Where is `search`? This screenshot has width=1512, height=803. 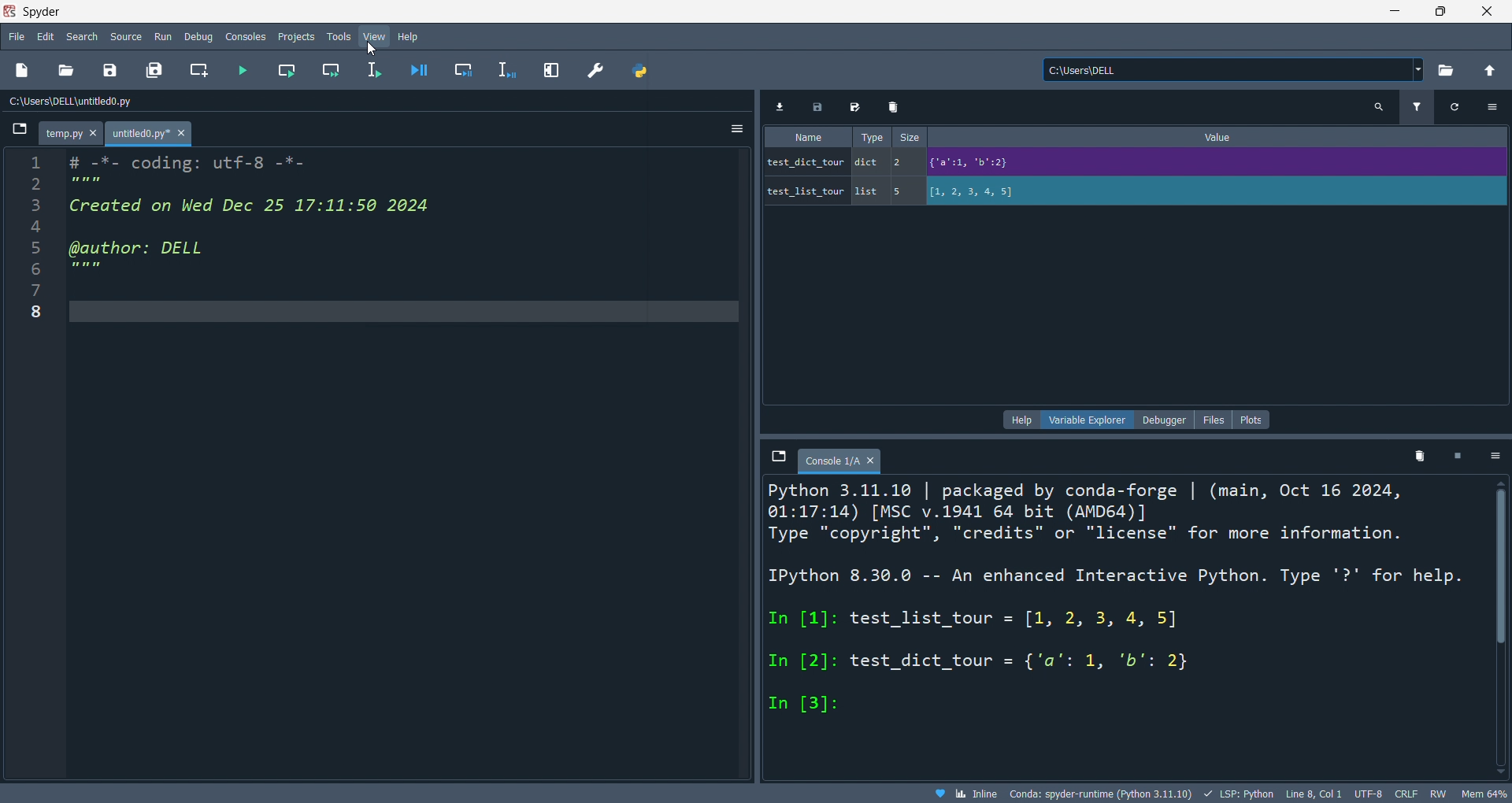 search is located at coordinates (1379, 108).